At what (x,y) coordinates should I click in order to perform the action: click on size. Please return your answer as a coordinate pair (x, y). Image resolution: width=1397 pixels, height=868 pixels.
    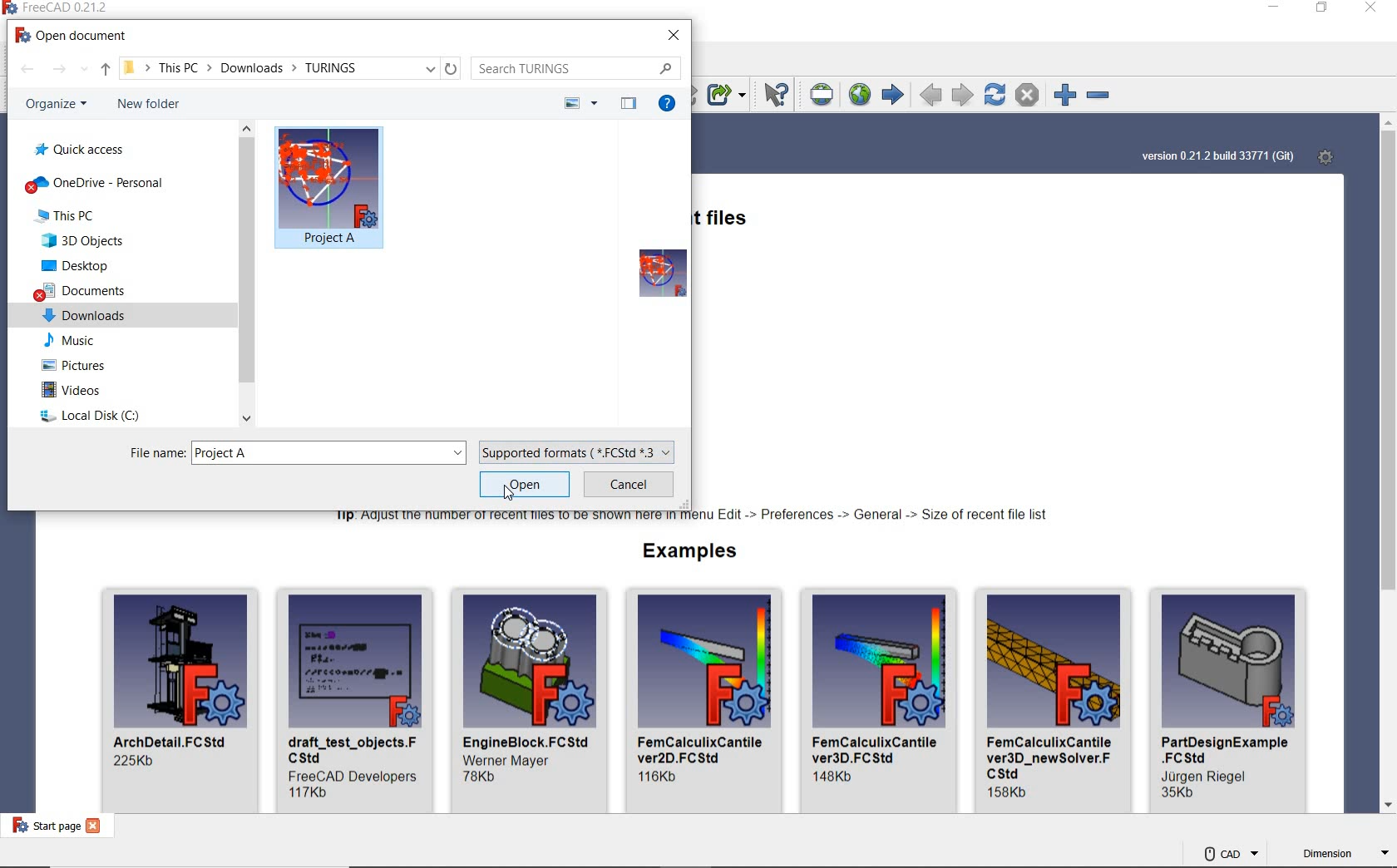
    Looking at the image, I should click on (310, 792).